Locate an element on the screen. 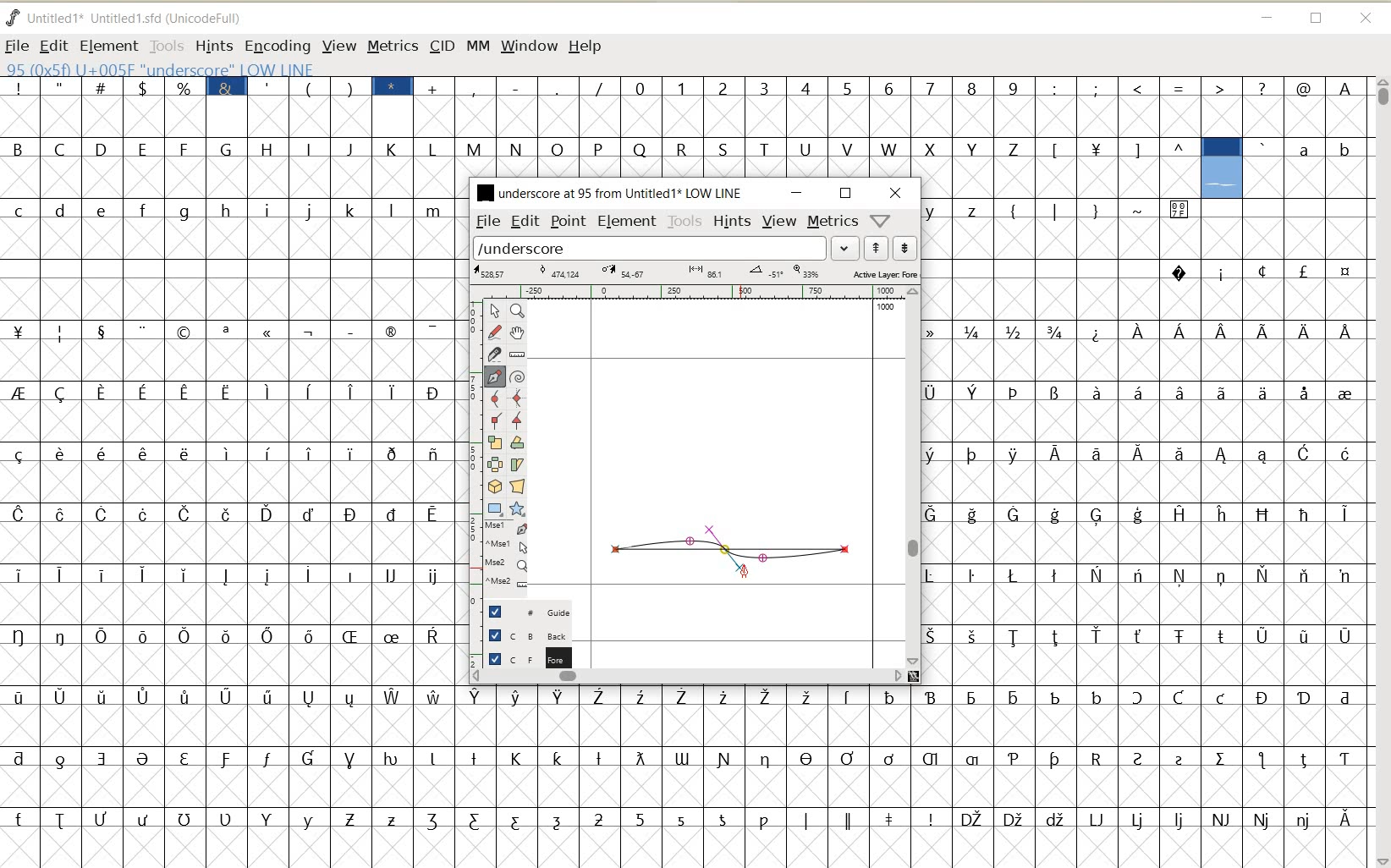 This screenshot has width=1391, height=868. METRICS is located at coordinates (392, 46).